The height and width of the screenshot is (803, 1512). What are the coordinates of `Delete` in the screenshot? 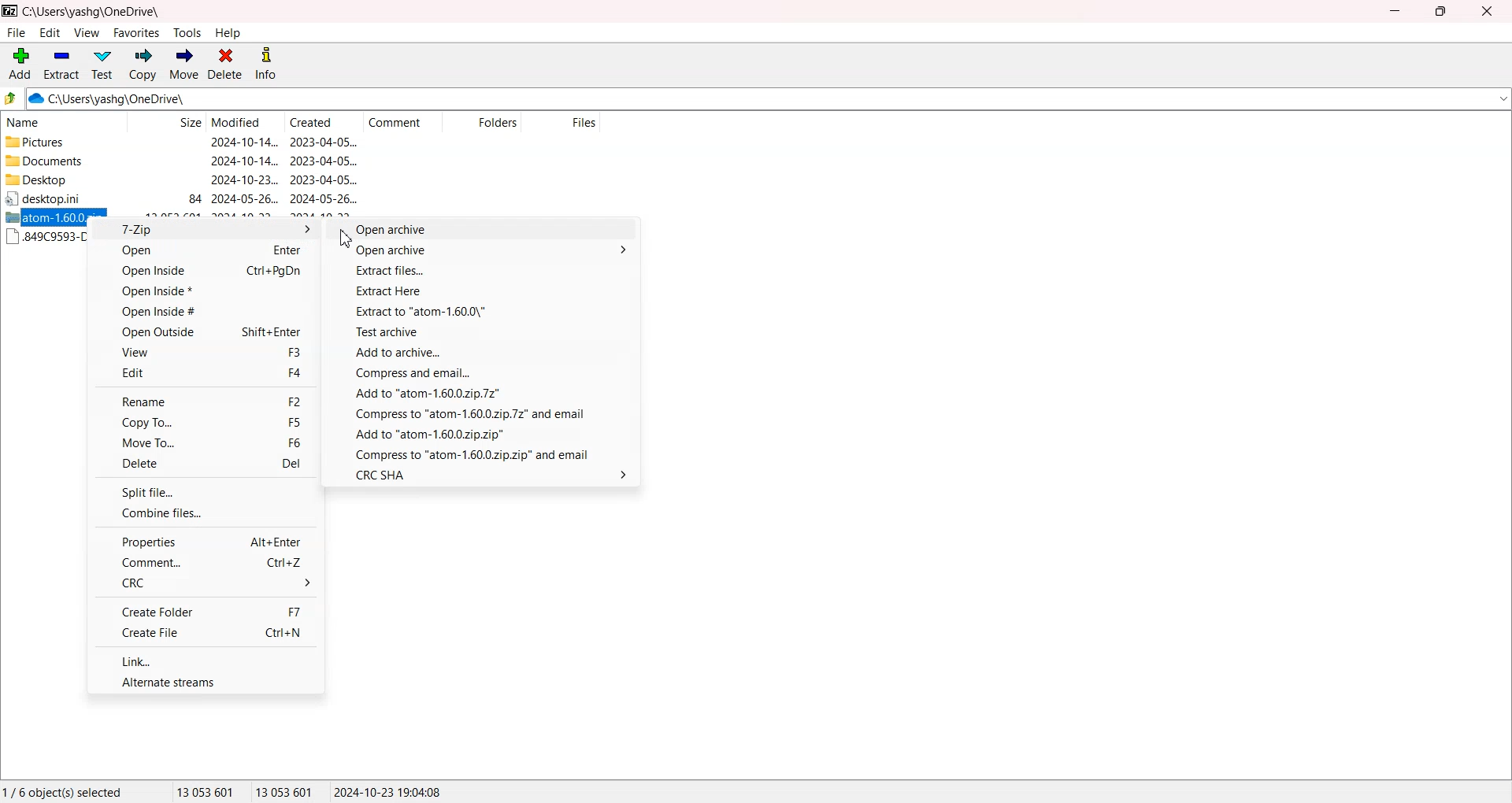 It's located at (225, 65).